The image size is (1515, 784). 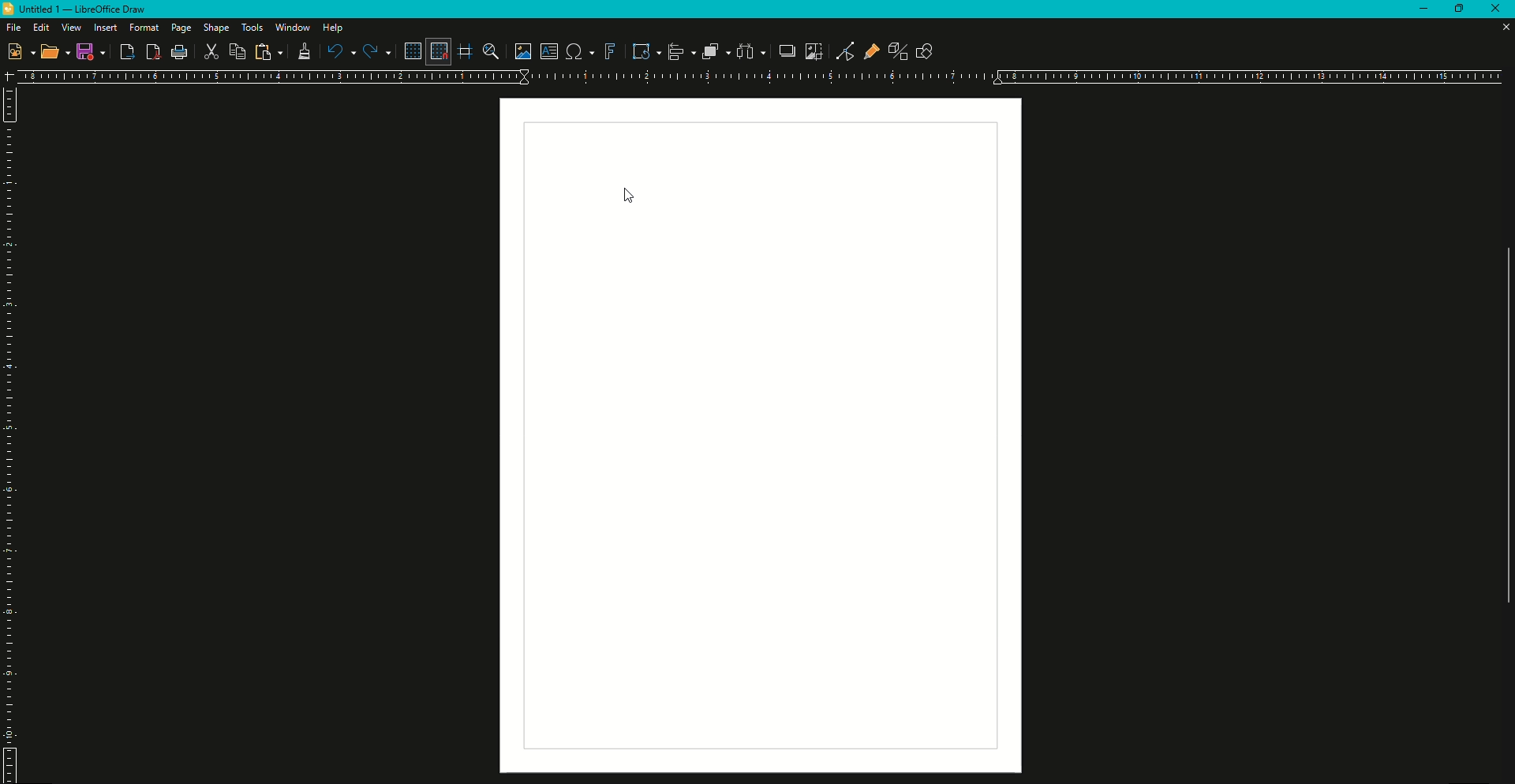 What do you see at coordinates (38, 27) in the screenshot?
I see `Edit` at bounding box center [38, 27].